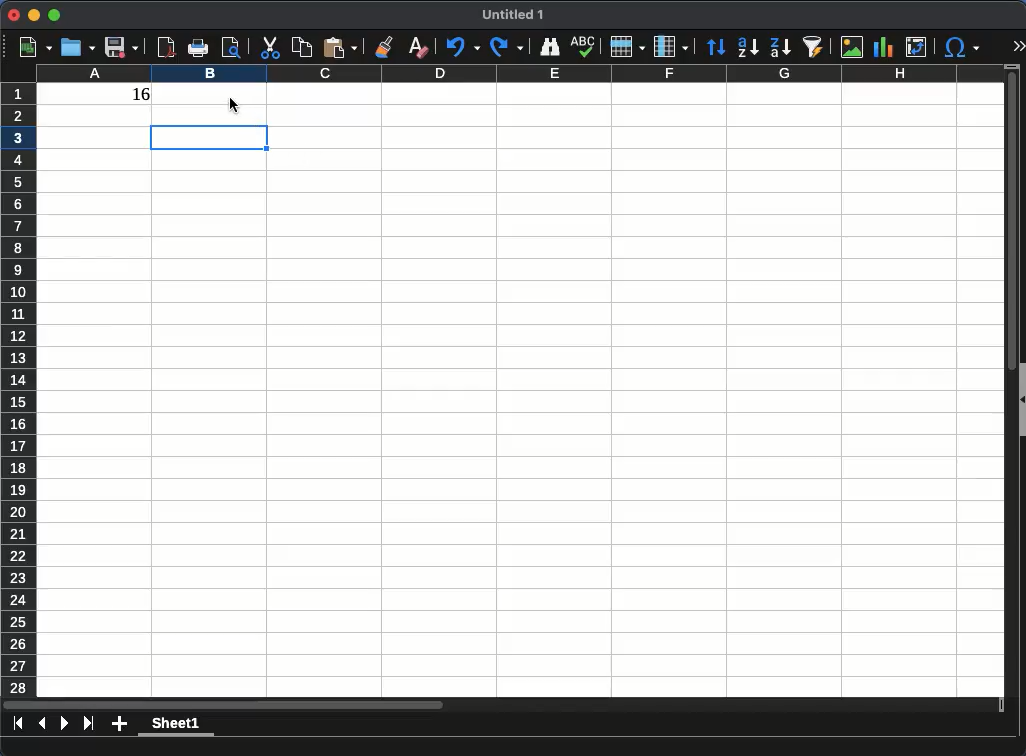 Image resolution: width=1026 pixels, height=756 pixels. Describe the element at coordinates (917, 48) in the screenshot. I see `pivot table` at that location.